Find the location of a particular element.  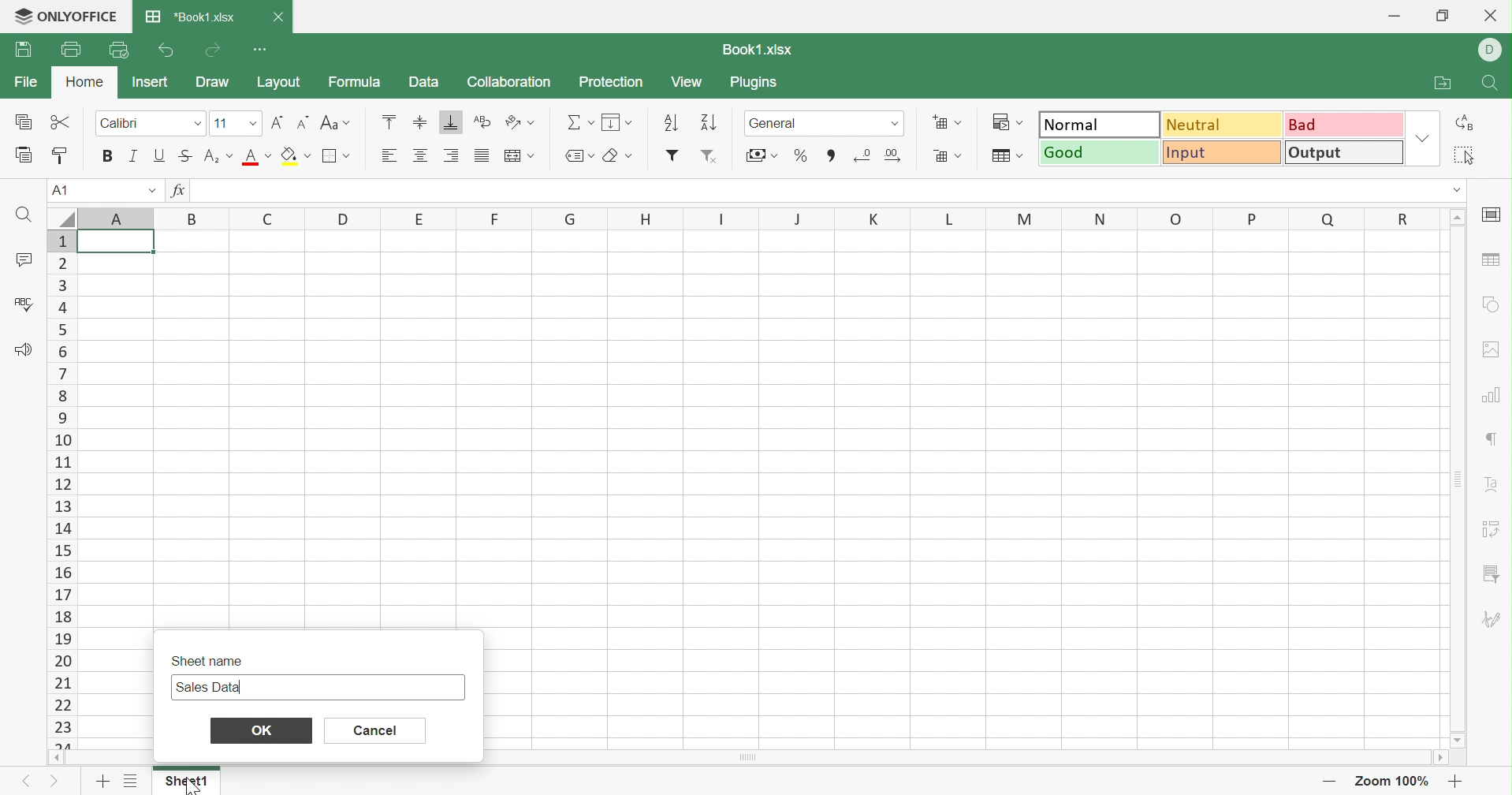

Erase styles is located at coordinates (626, 156).